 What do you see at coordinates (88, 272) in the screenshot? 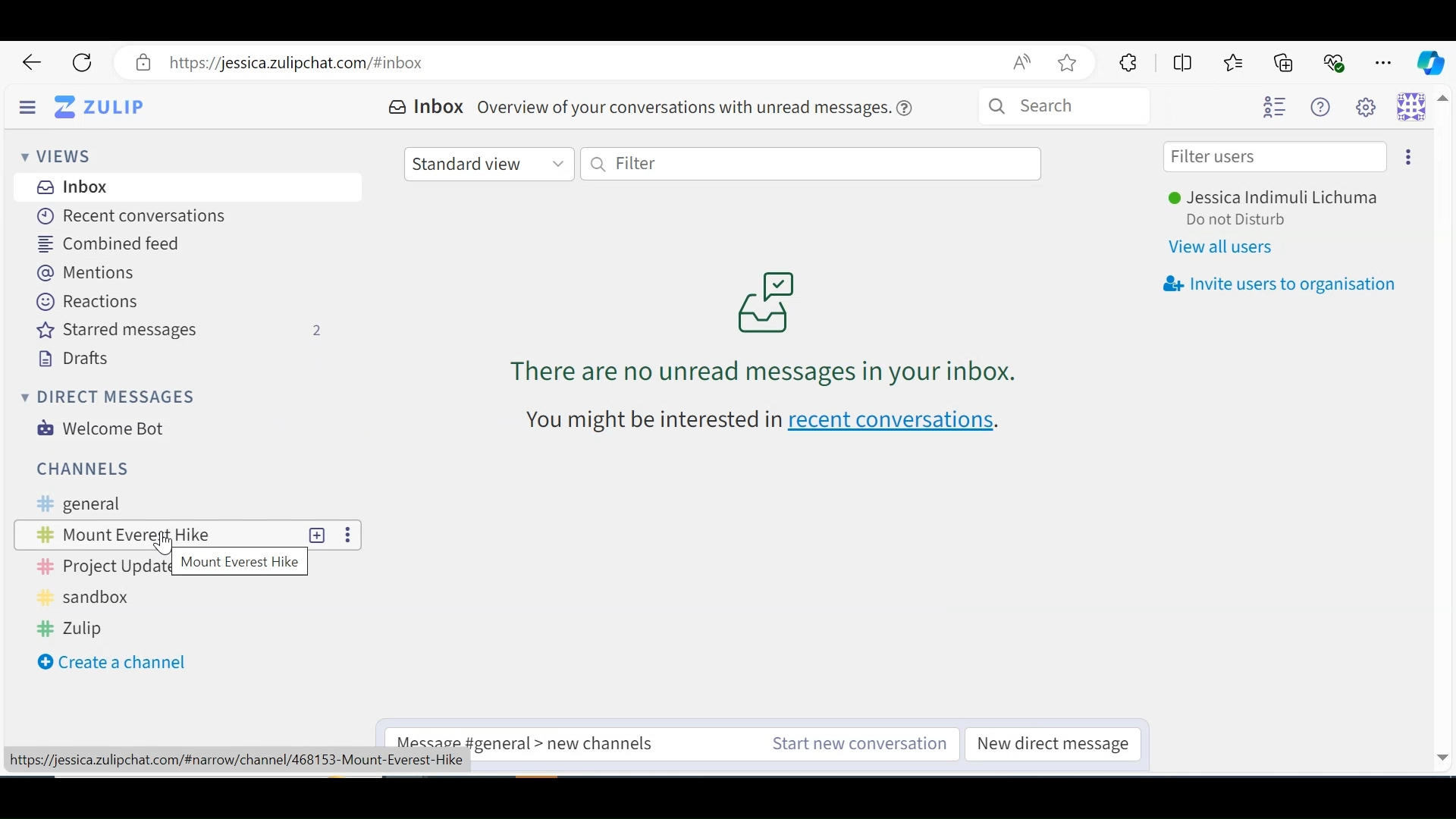
I see `Mentions` at bounding box center [88, 272].